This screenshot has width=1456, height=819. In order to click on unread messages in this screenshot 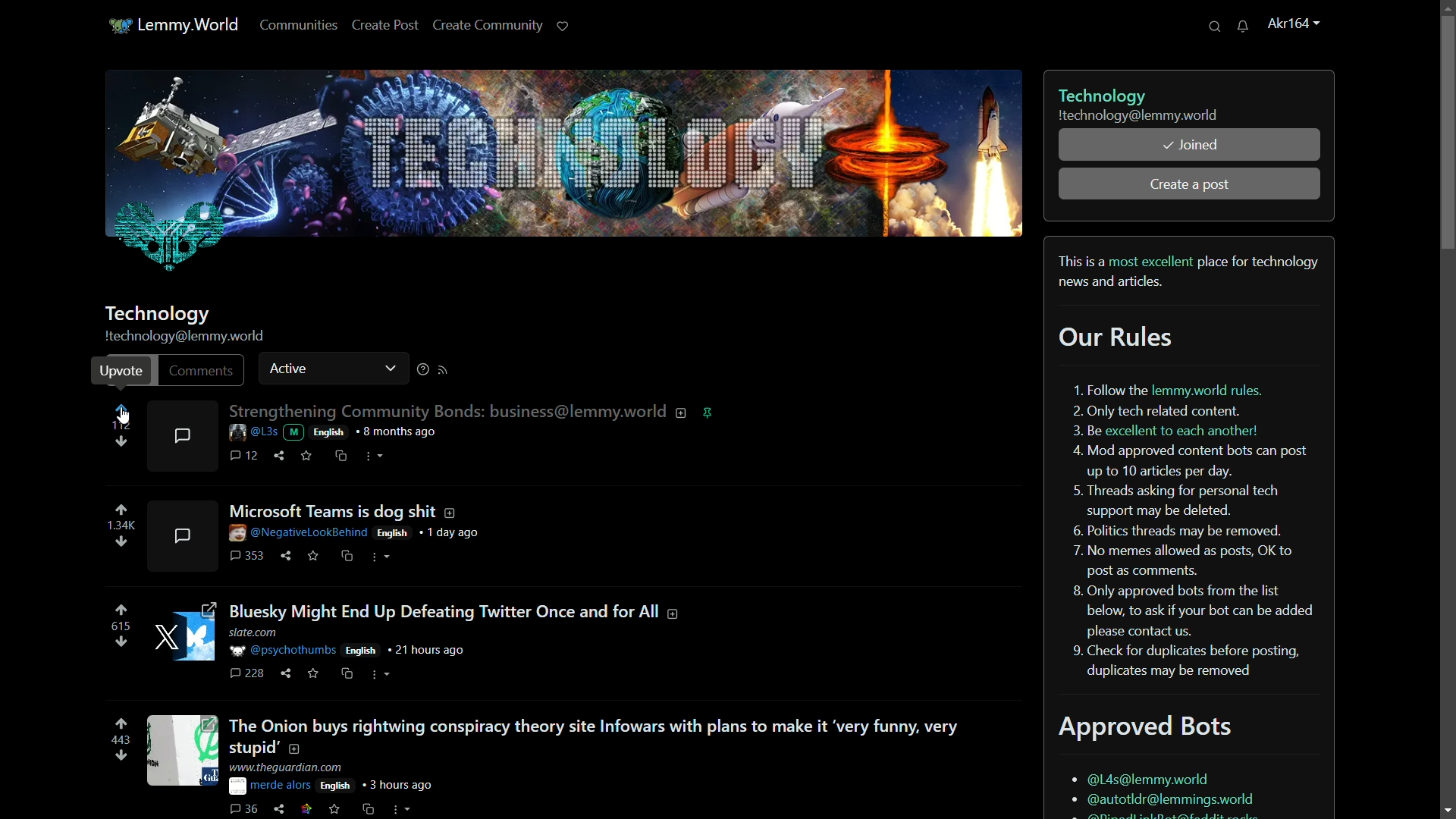, I will do `click(1244, 27)`.